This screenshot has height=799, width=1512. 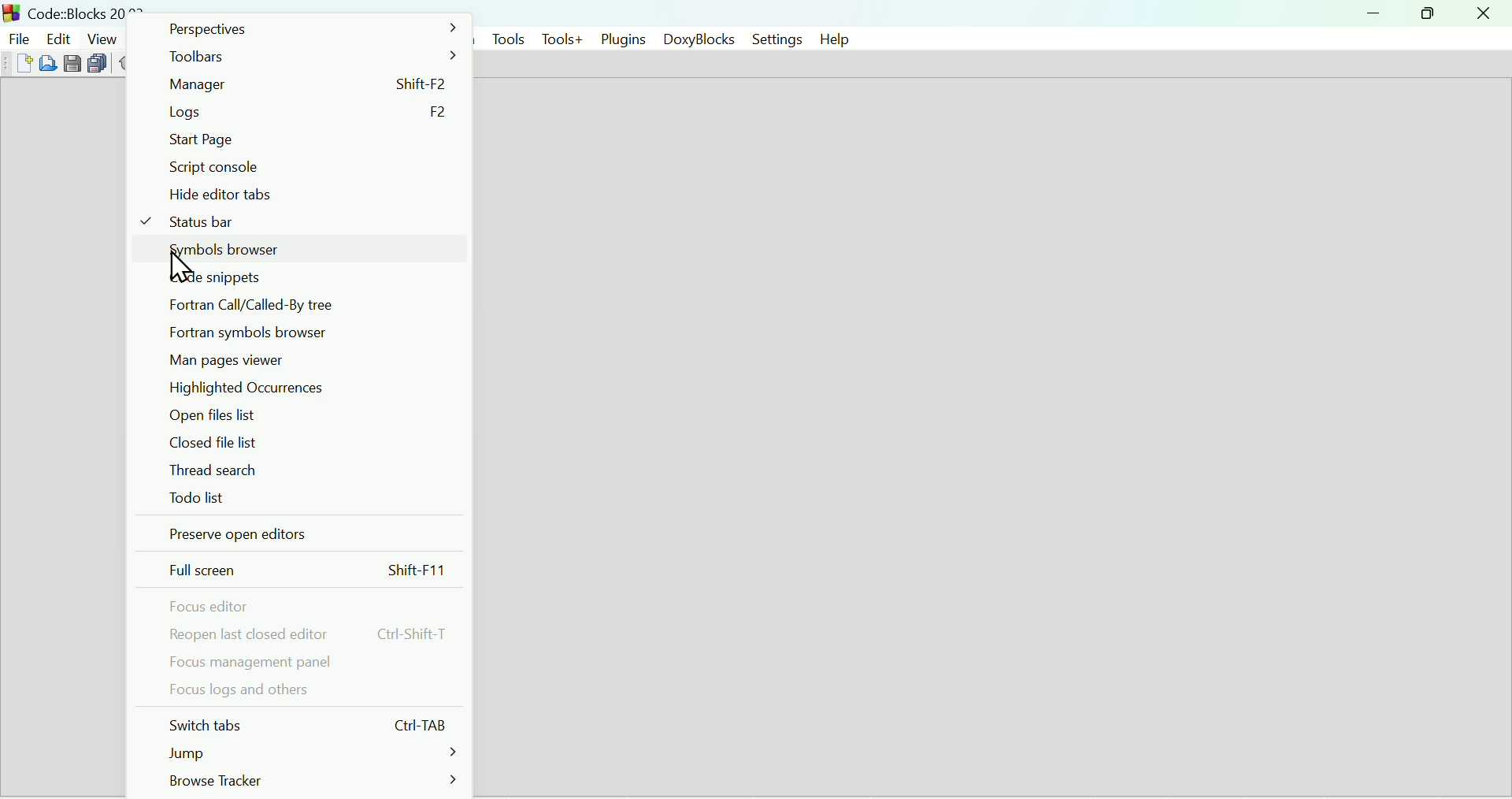 What do you see at coordinates (306, 535) in the screenshot?
I see `Preserve open editors` at bounding box center [306, 535].